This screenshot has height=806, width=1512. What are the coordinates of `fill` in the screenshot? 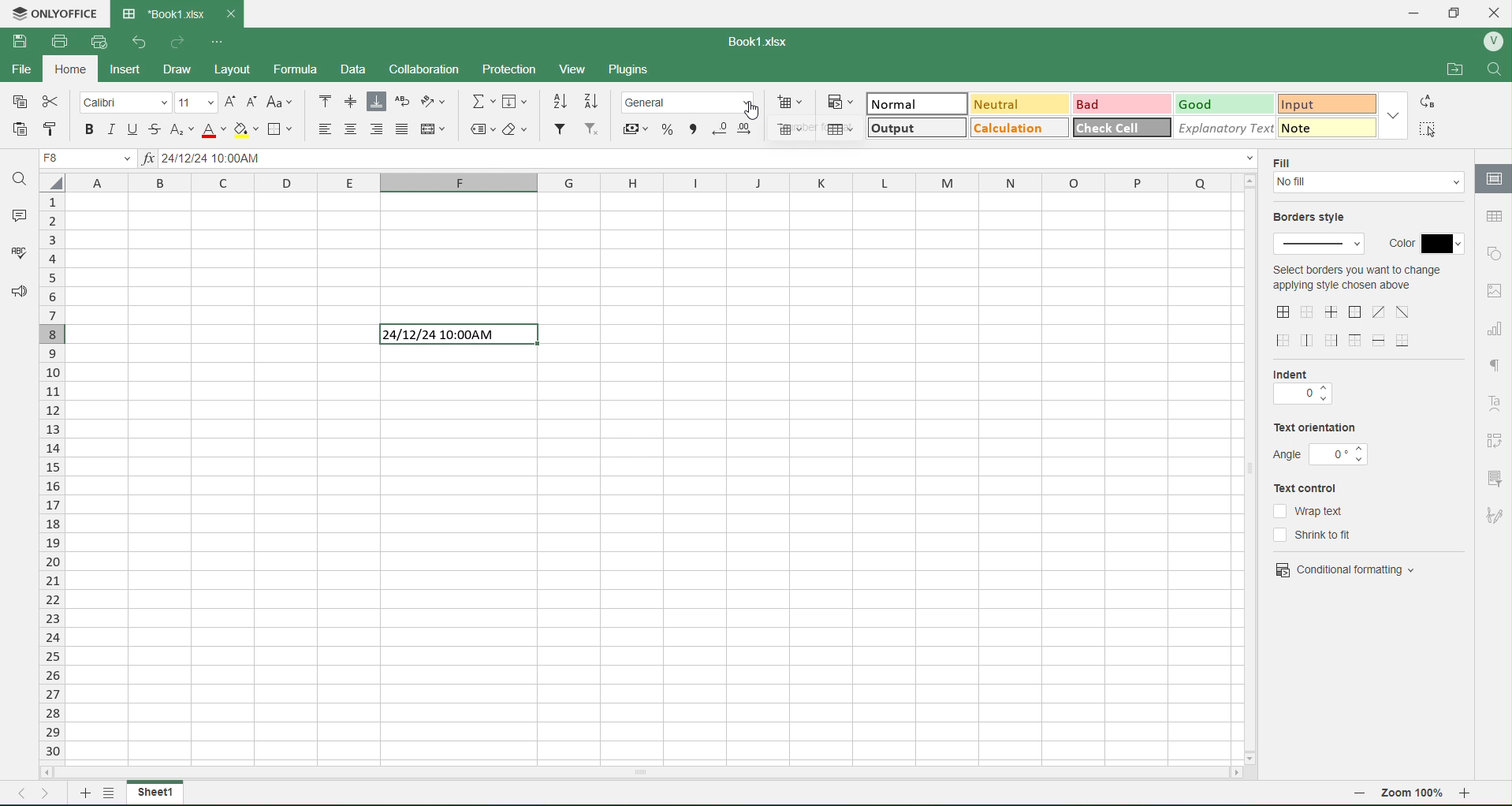 It's located at (1287, 162).